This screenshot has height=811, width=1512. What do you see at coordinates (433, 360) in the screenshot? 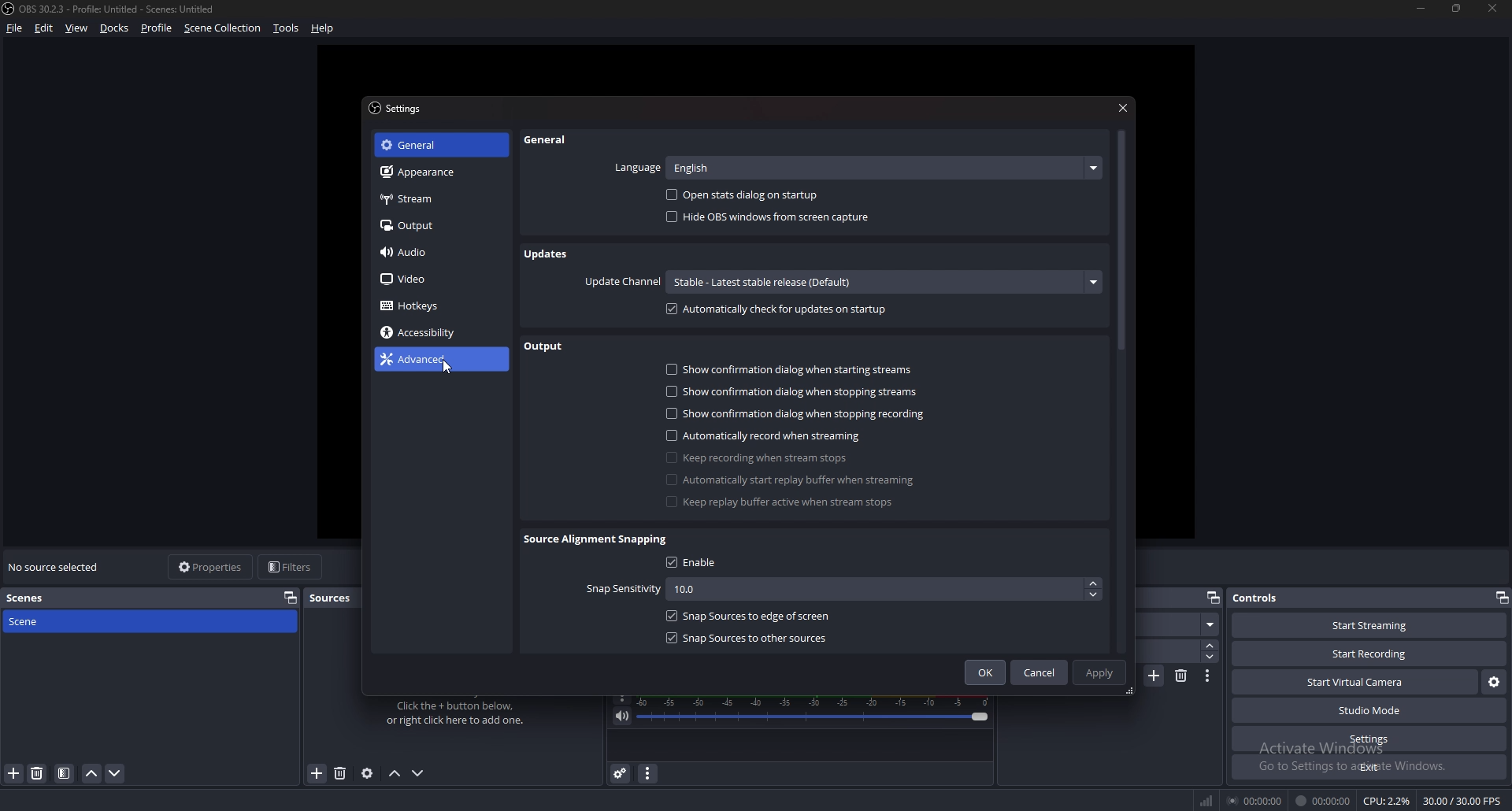
I see `Advanced` at bounding box center [433, 360].